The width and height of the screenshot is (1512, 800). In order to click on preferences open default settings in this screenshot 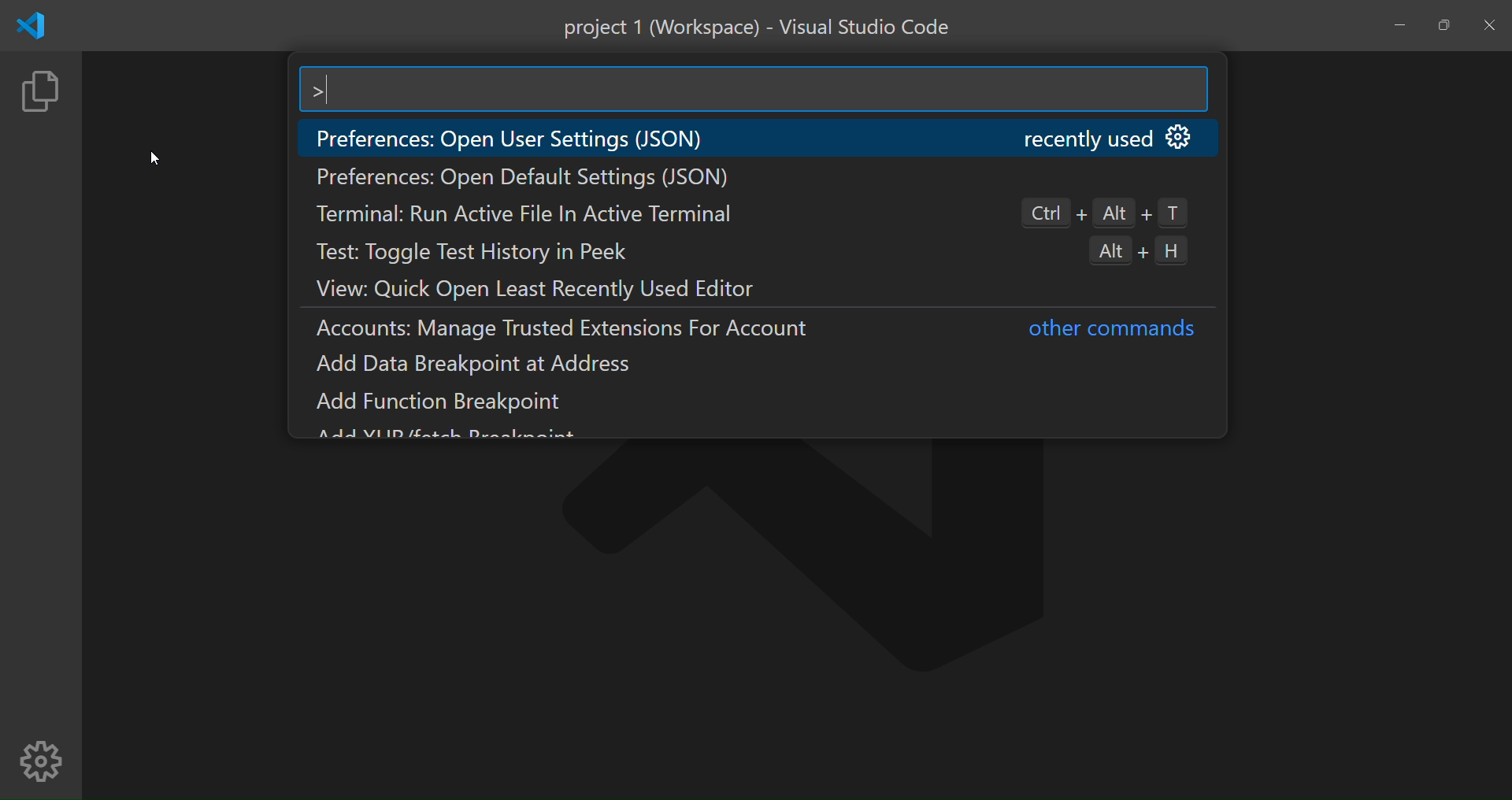, I will do `click(528, 180)`.